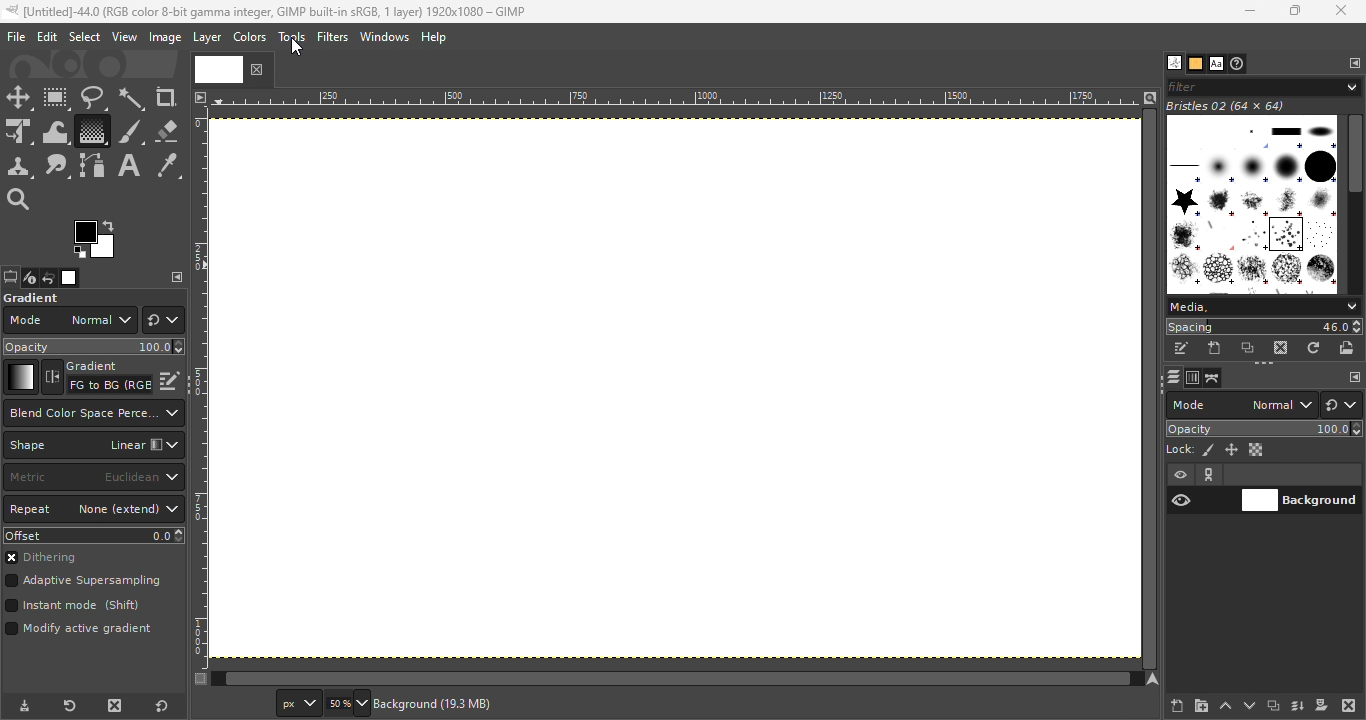 Image resolution: width=1366 pixels, height=720 pixels. Describe the element at coordinates (47, 37) in the screenshot. I see `Edit` at that location.